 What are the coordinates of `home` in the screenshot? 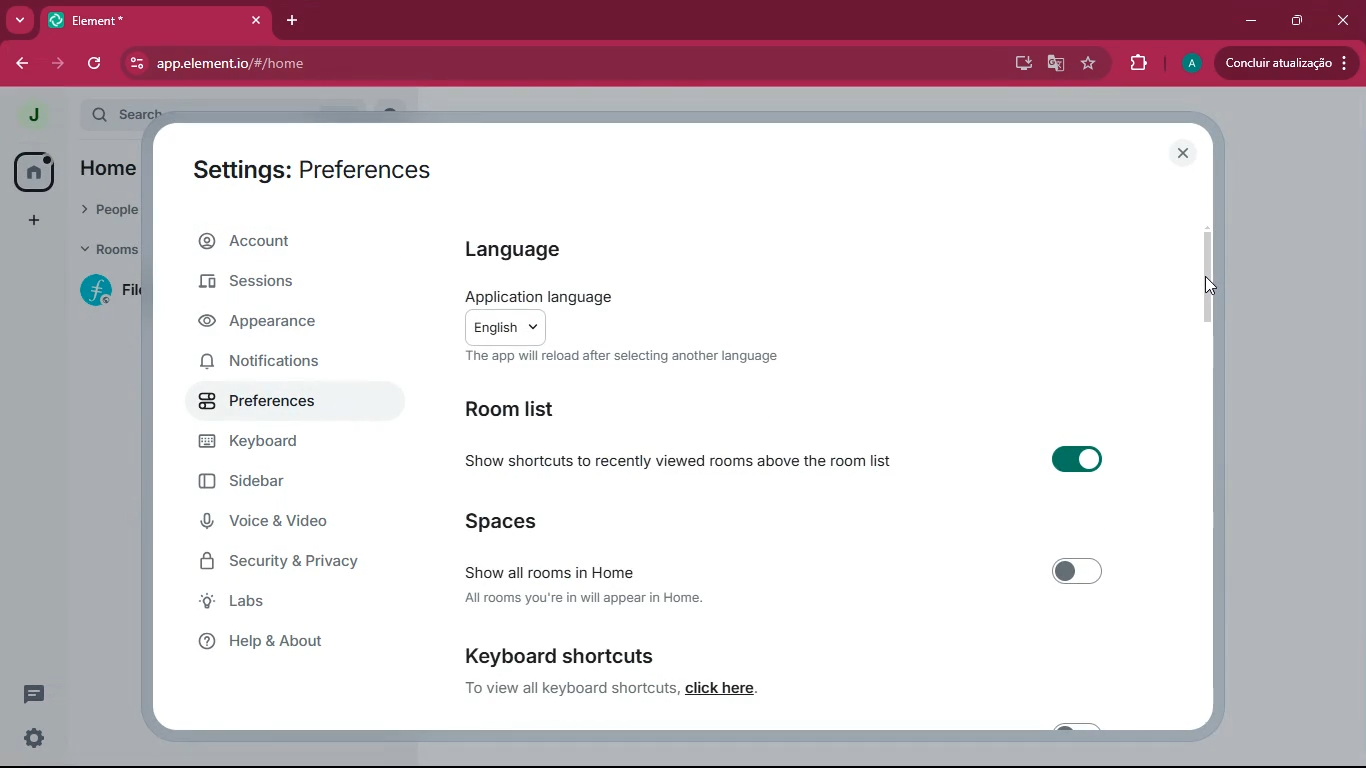 It's located at (28, 172).